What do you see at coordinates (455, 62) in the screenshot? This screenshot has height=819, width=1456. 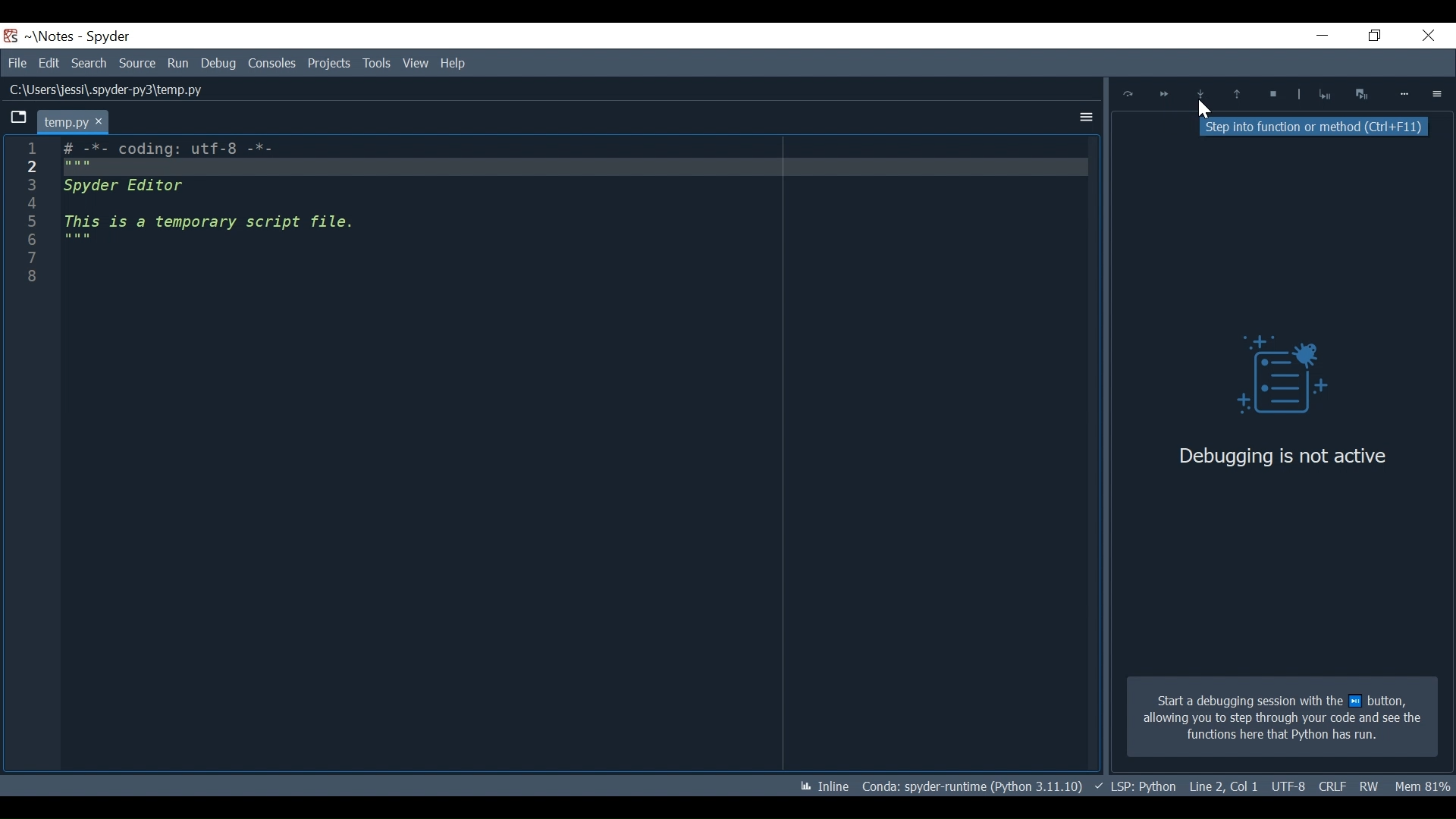 I see `Help` at bounding box center [455, 62].